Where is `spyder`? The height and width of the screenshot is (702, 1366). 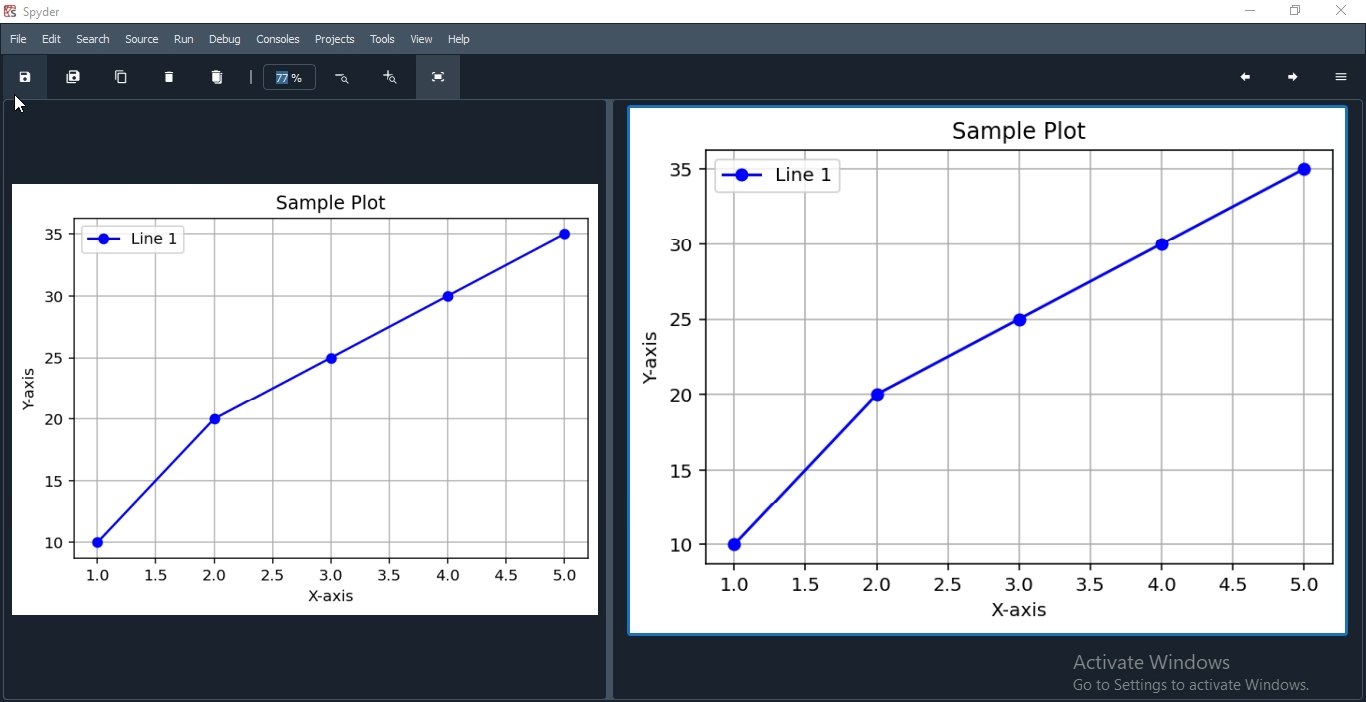
spyder is located at coordinates (58, 10).